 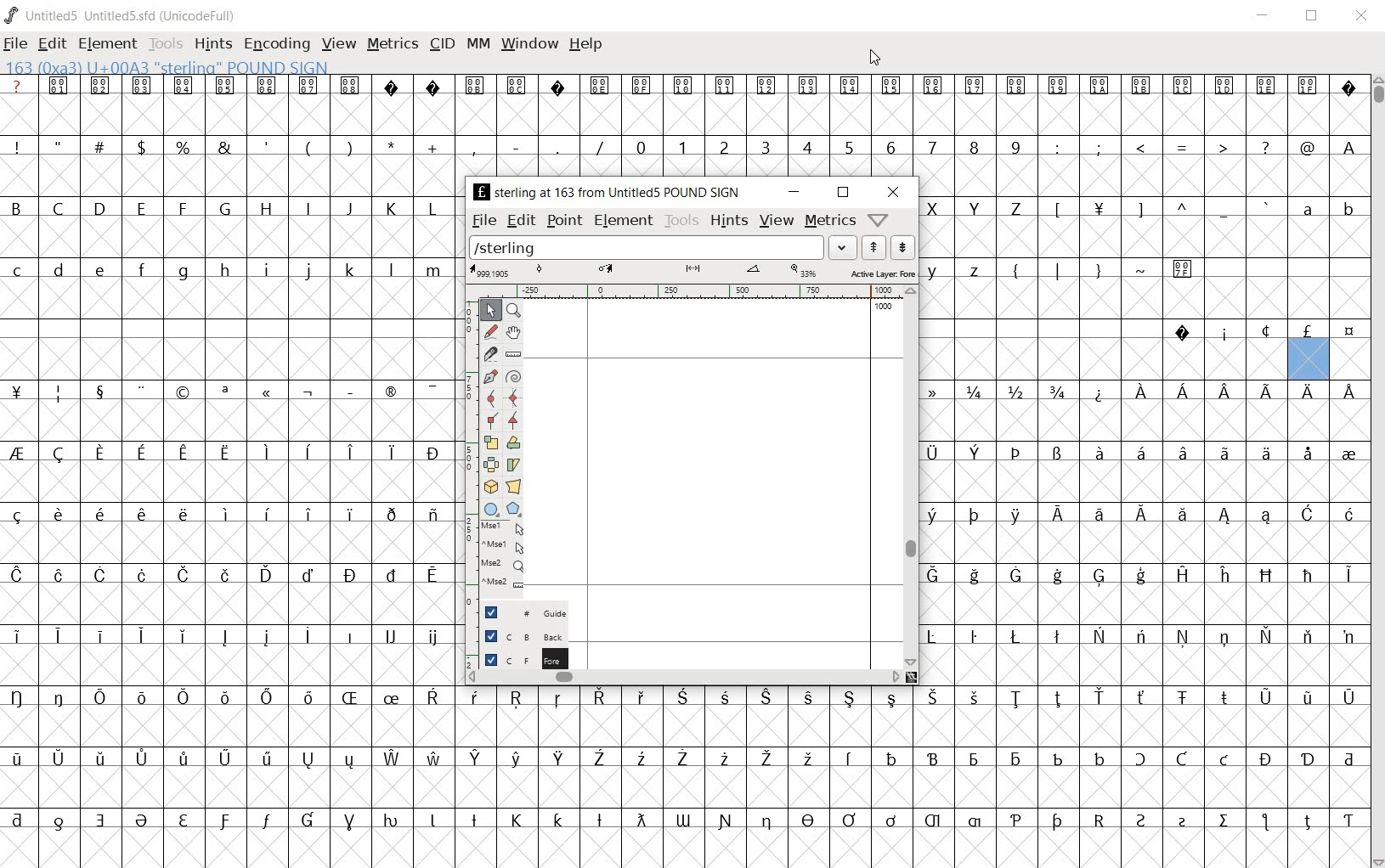 I want to click on Symbol, so click(x=1267, y=392).